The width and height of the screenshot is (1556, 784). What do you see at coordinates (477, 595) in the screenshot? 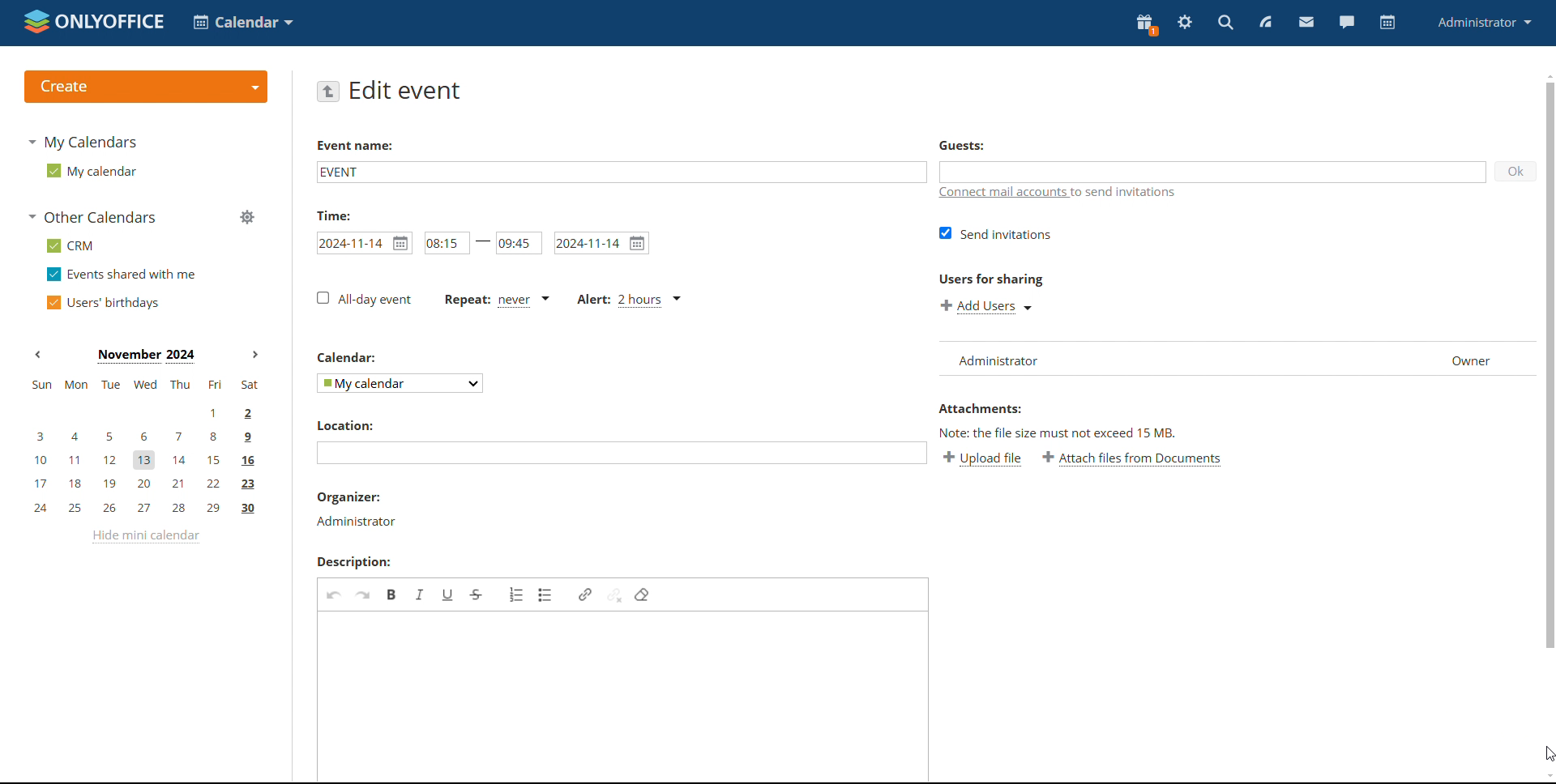
I see `strikethrough` at bounding box center [477, 595].